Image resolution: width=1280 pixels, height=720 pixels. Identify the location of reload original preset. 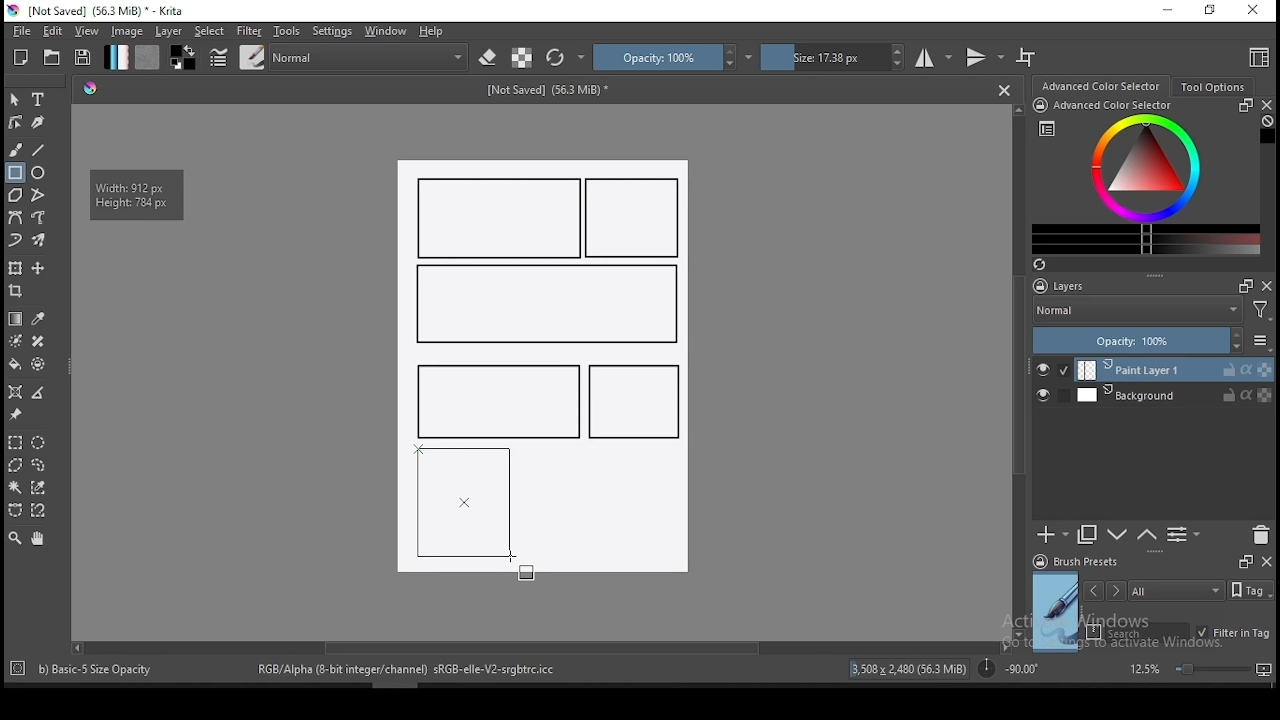
(566, 57).